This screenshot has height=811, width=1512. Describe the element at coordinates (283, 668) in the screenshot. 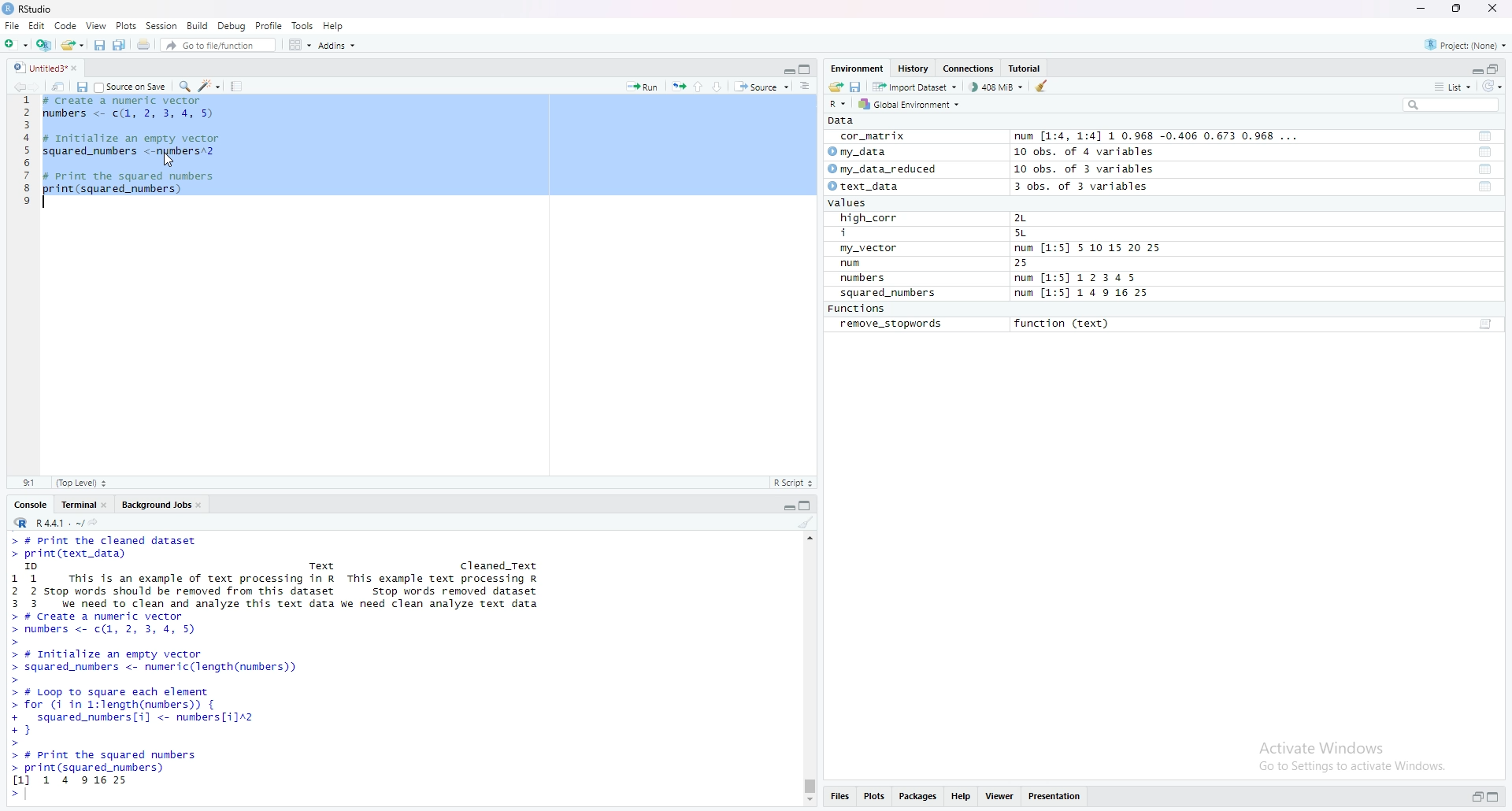

I see `> # print the cleaned dataset> print(text_data)™ Text Cleaned_Text11 This is an example of text processing in R This example text processing R2 2 stop words should be removed from this dataset stop words removed dataset3 3 ve need to clean and analyze this text data We need clean analyze text data> # Create a numeric vector> numbers <- c(1, 2, 3, 4, 5)> # Initialize an empty vector> squared_numbers <- numer ic(length(numbers))> # Loop To square each element> for (i in 1:length(numbers)) {+ squared_numbers[i] <- nunbers[i12+}> # print the squared numbers> print(squared_numbers)1] 1 4 9 16 25 >` at that location.